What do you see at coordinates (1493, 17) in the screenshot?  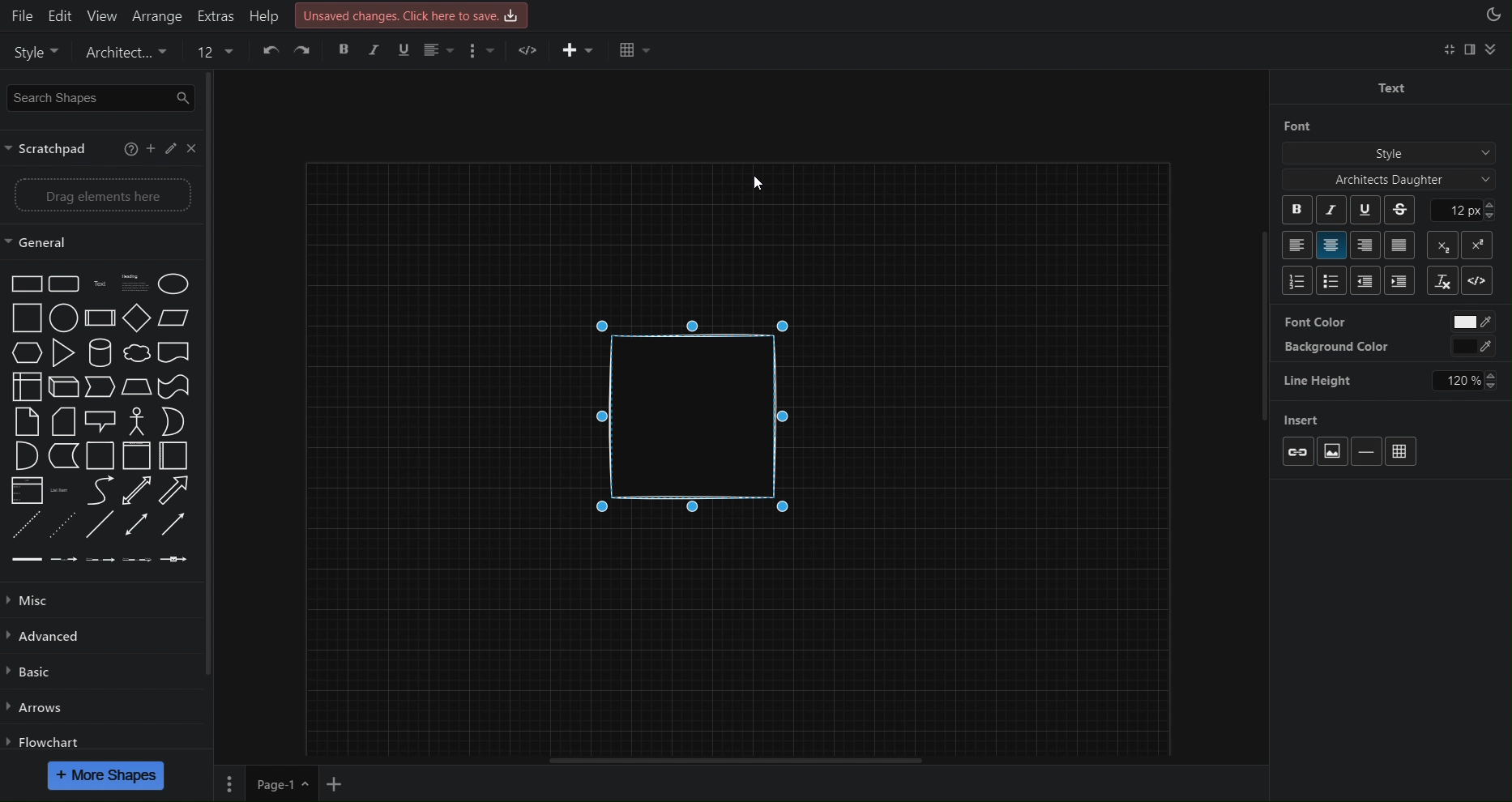 I see `Appearance` at bounding box center [1493, 17].